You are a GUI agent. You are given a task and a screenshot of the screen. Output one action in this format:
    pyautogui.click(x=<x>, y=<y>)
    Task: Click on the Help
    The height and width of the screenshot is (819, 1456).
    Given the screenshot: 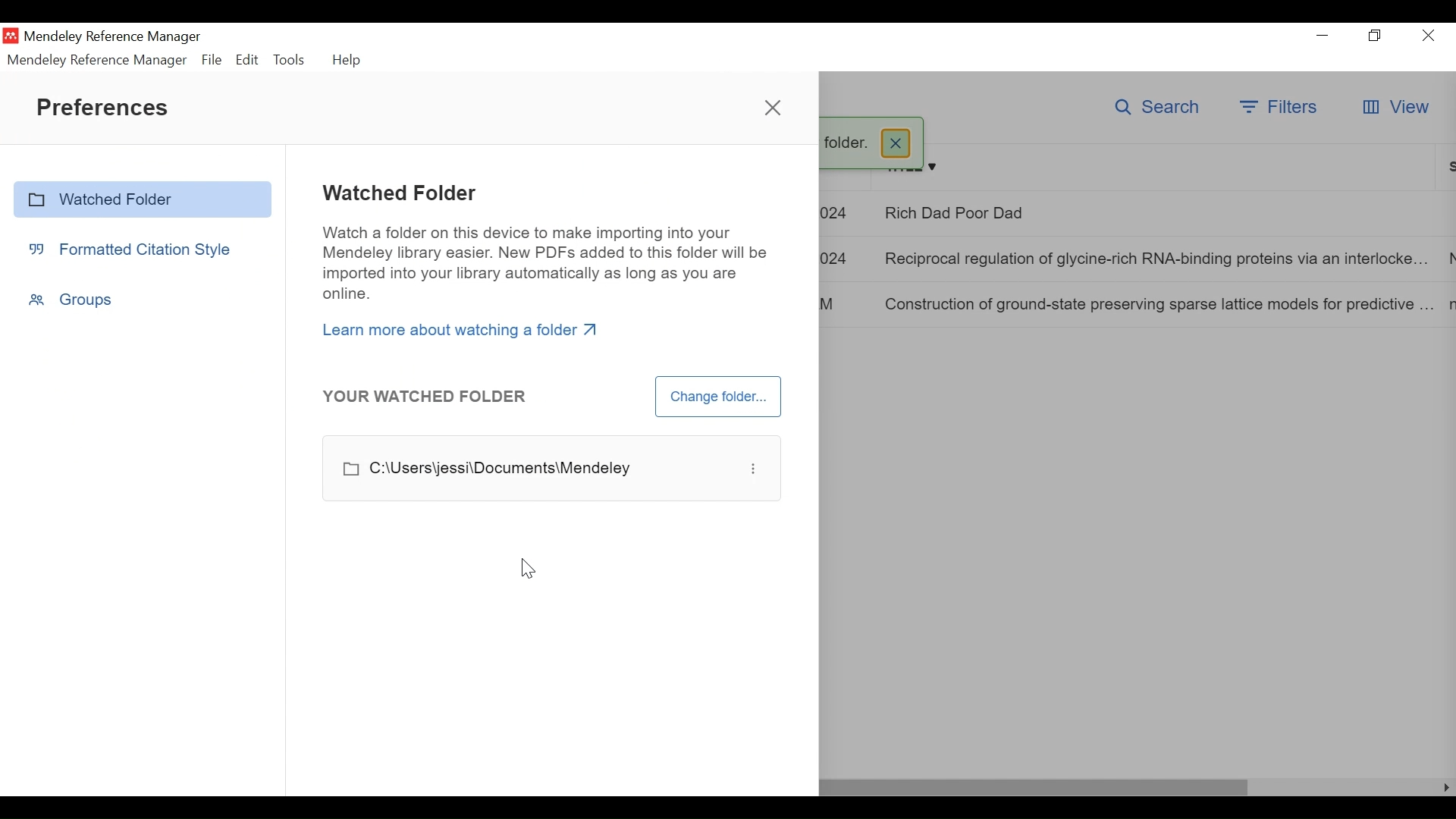 What is the action you would take?
    pyautogui.click(x=347, y=60)
    